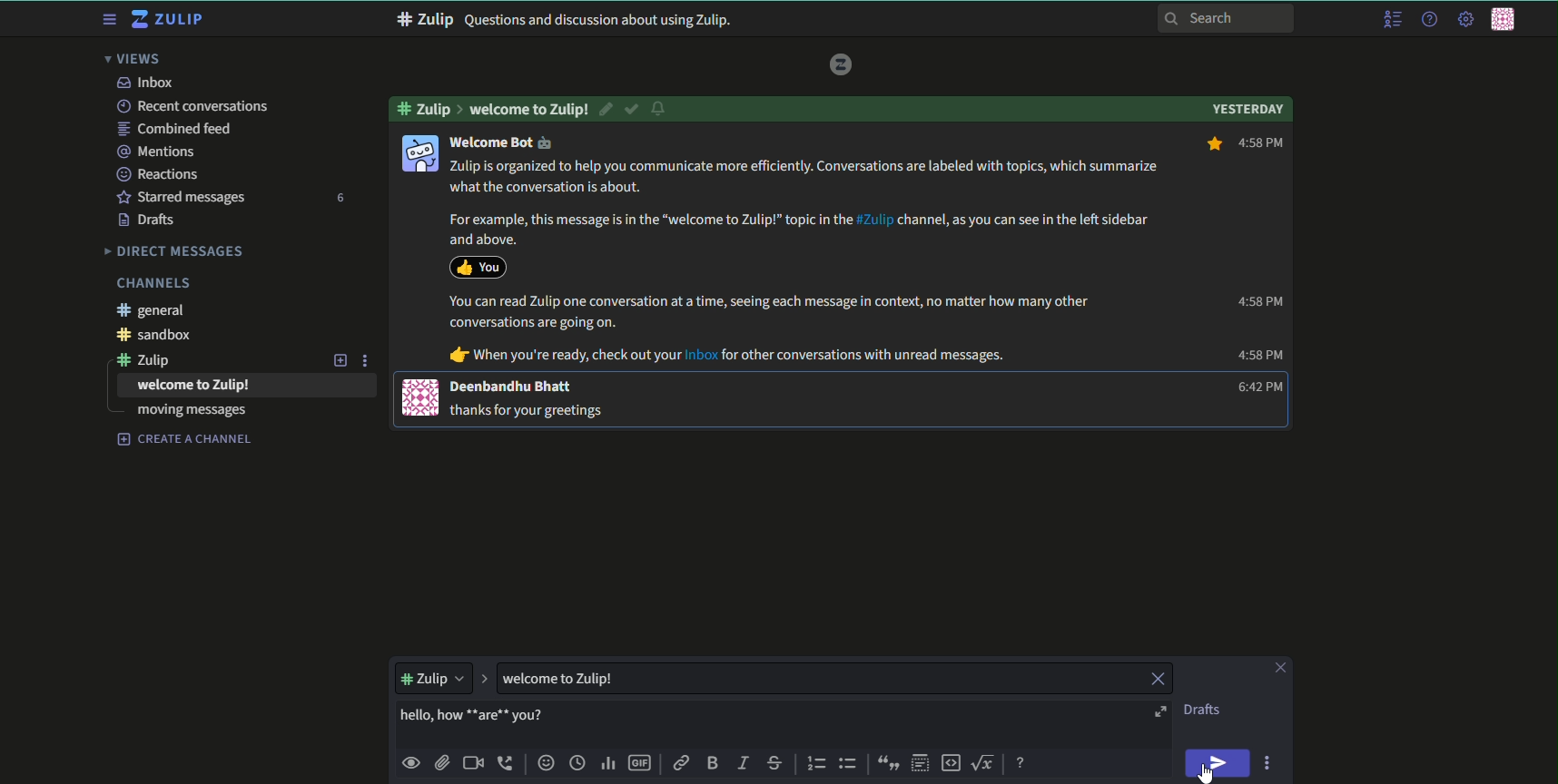 The width and height of the screenshot is (1558, 784). What do you see at coordinates (1278, 668) in the screenshot?
I see `close` at bounding box center [1278, 668].